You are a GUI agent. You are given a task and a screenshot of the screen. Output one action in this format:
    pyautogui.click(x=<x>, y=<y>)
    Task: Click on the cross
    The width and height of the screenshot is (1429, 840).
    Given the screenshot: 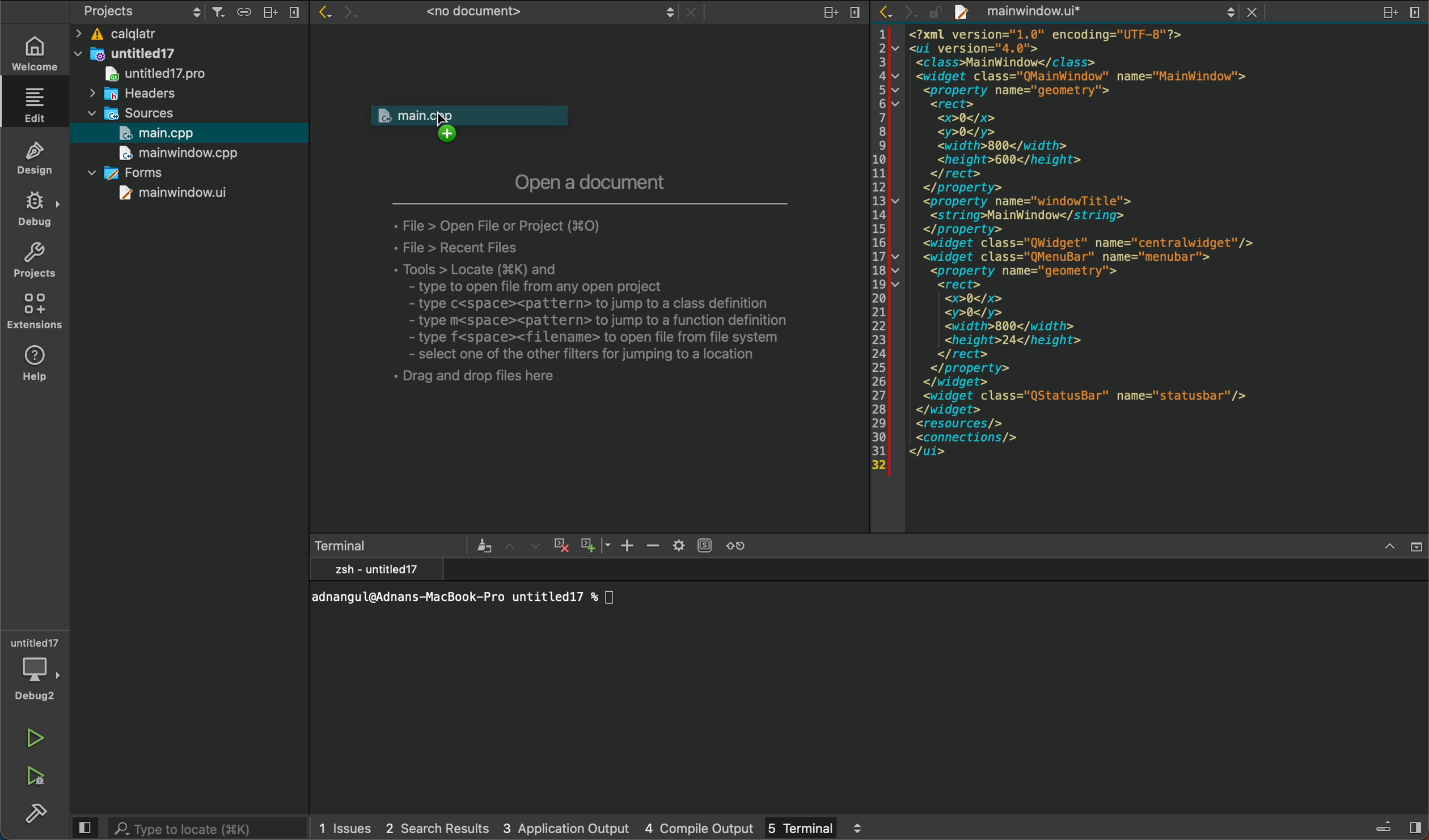 What is the action you would take?
    pyautogui.click(x=559, y=546)
    